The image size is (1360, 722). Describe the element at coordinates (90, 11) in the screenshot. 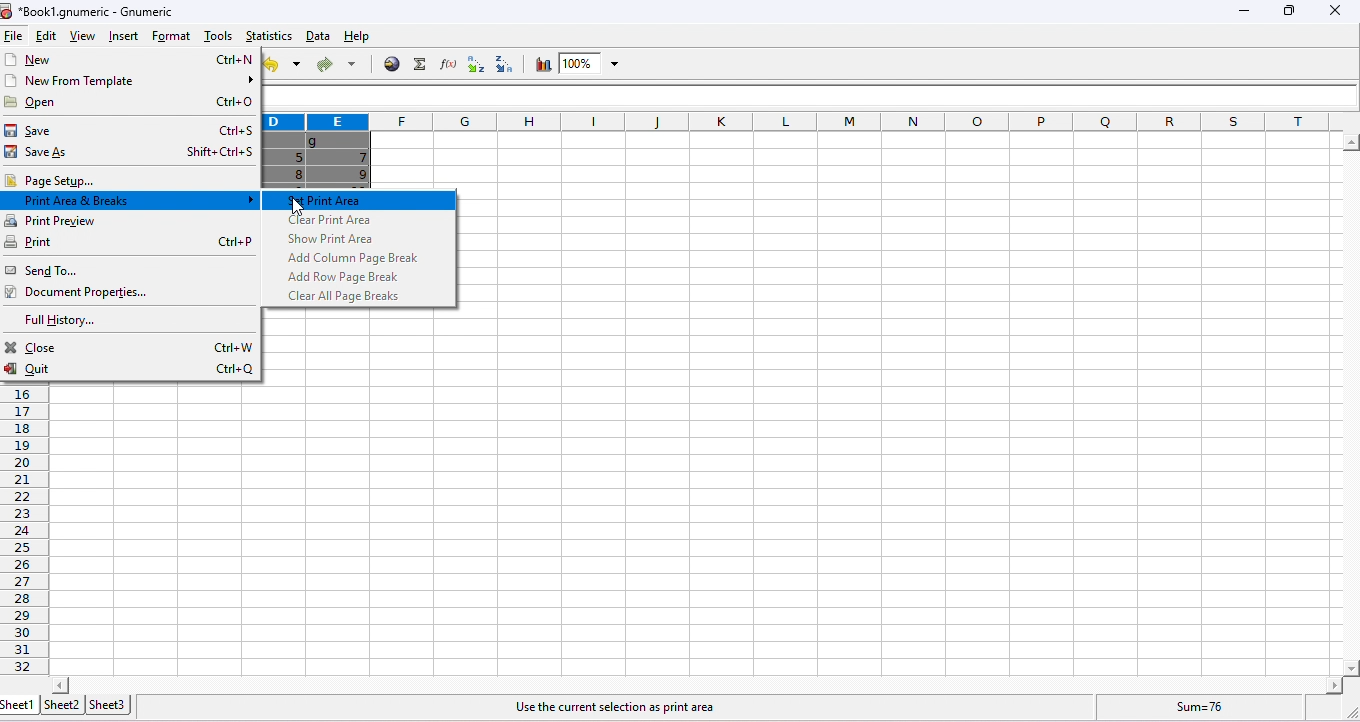

I see `title` at that location.